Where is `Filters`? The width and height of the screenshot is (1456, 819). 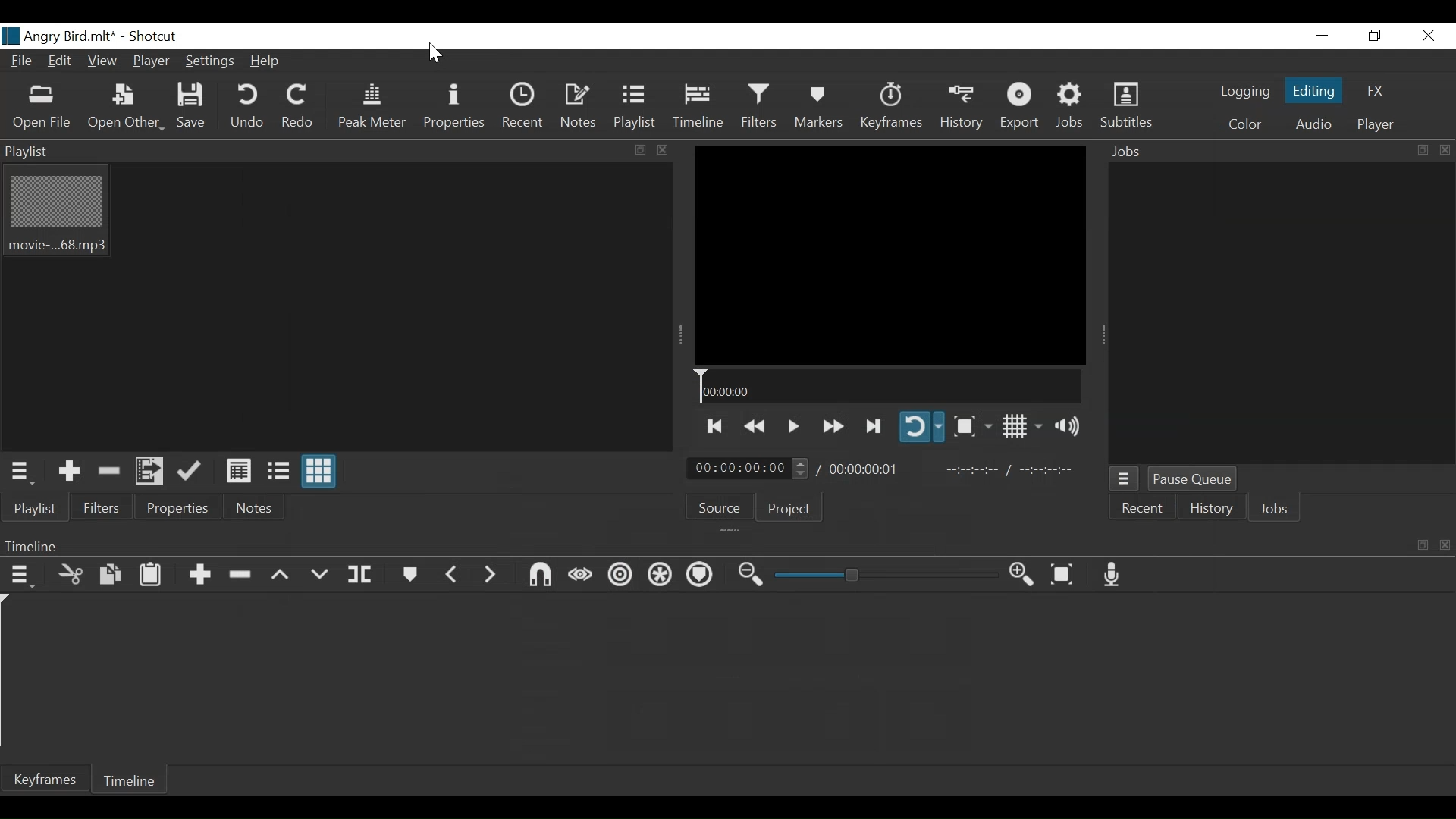 Filters is located at coordinates (99, 507).